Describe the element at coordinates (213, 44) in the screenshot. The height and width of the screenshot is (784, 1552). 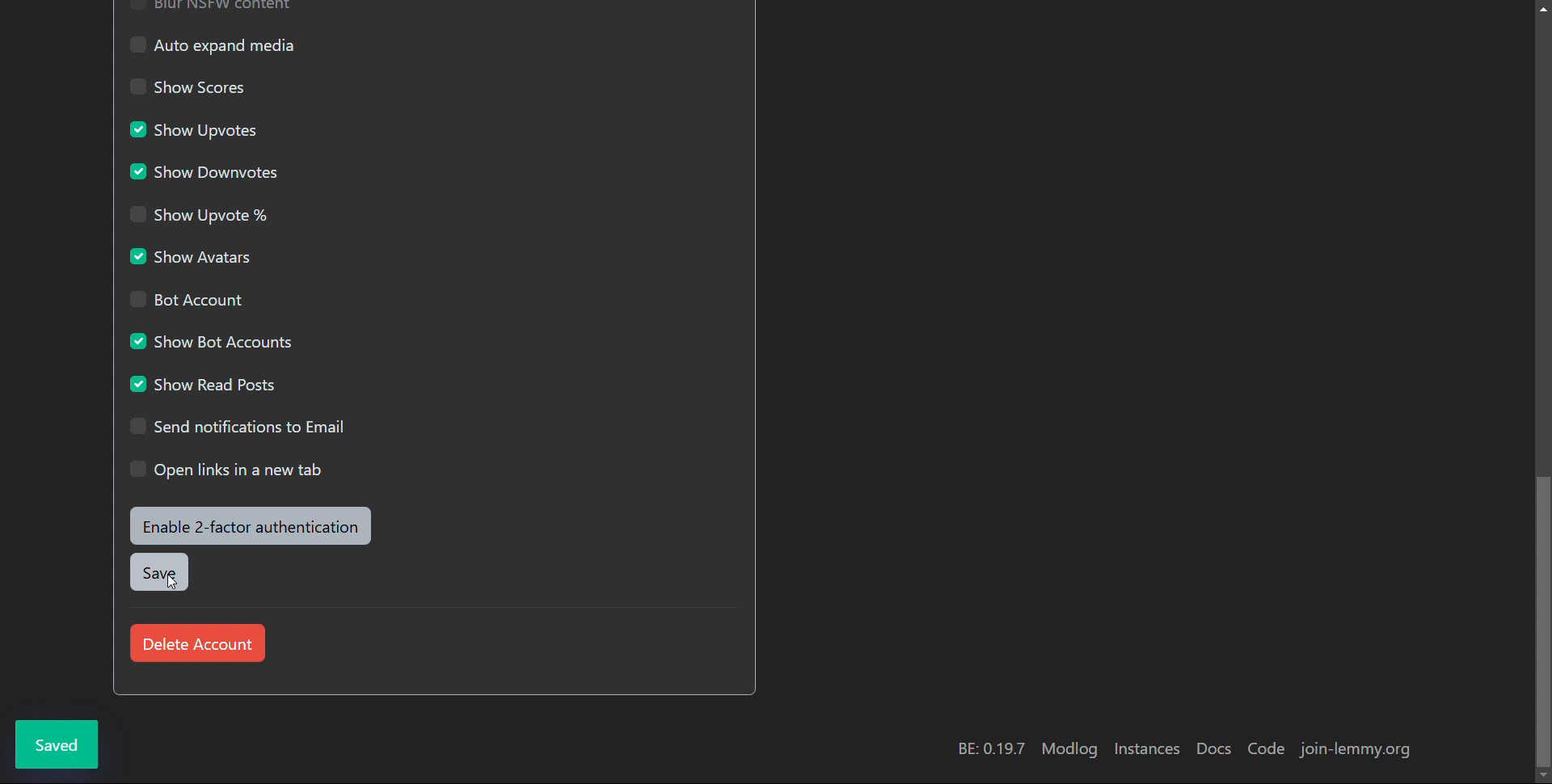
I see `auto expand media` at that location.